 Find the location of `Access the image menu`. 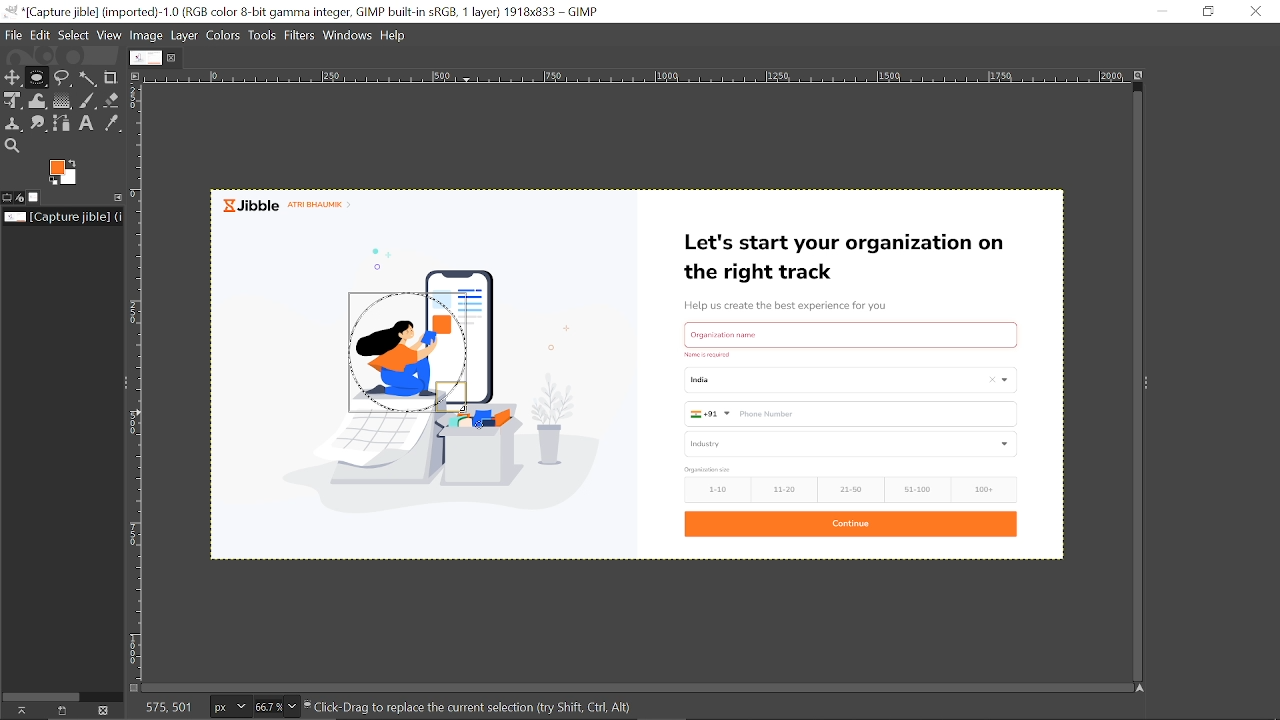

Access the image menu is located at coordinates (139, 77).